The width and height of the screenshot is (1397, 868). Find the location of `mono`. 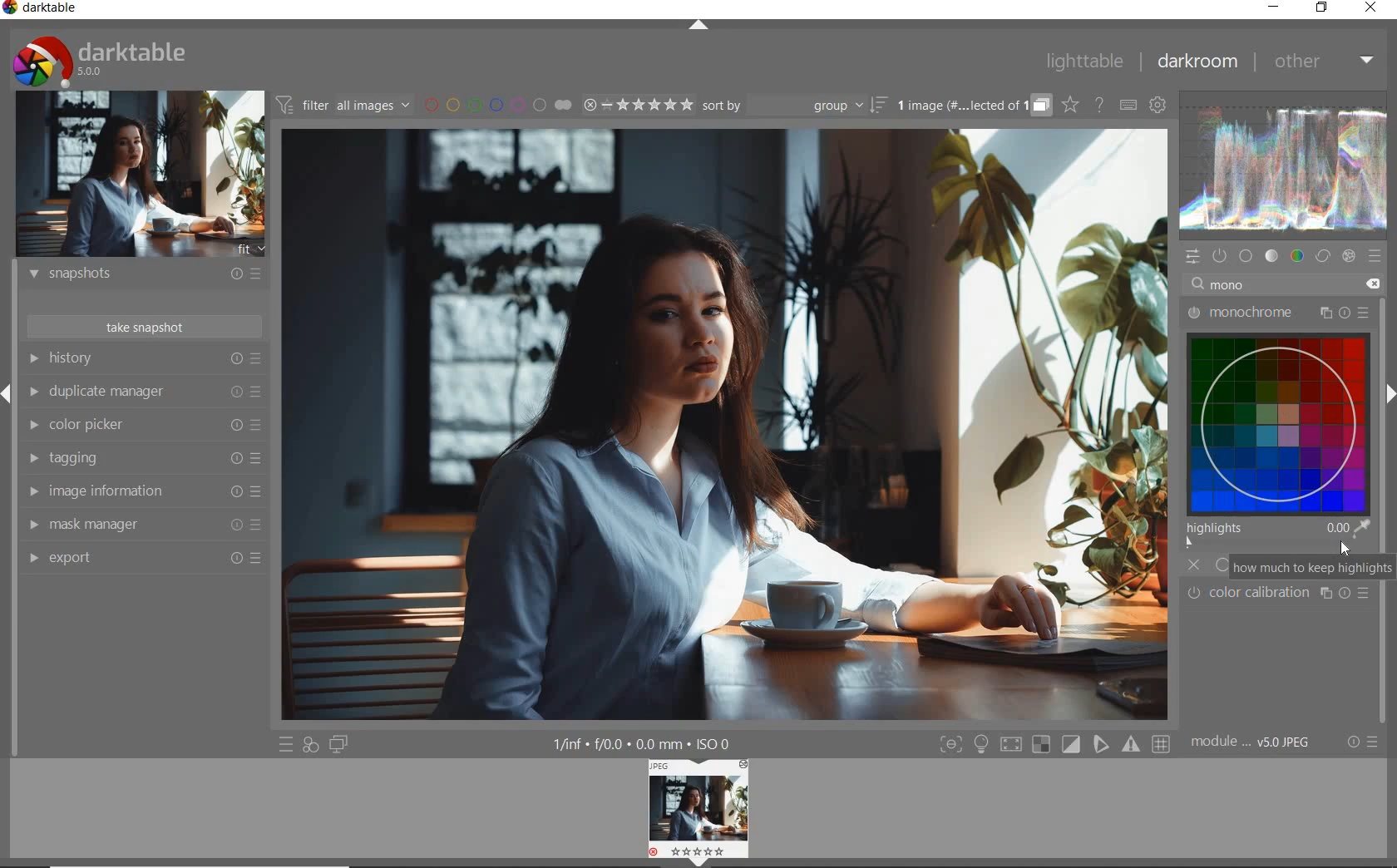

mono is located at coordinates (1286, 282).